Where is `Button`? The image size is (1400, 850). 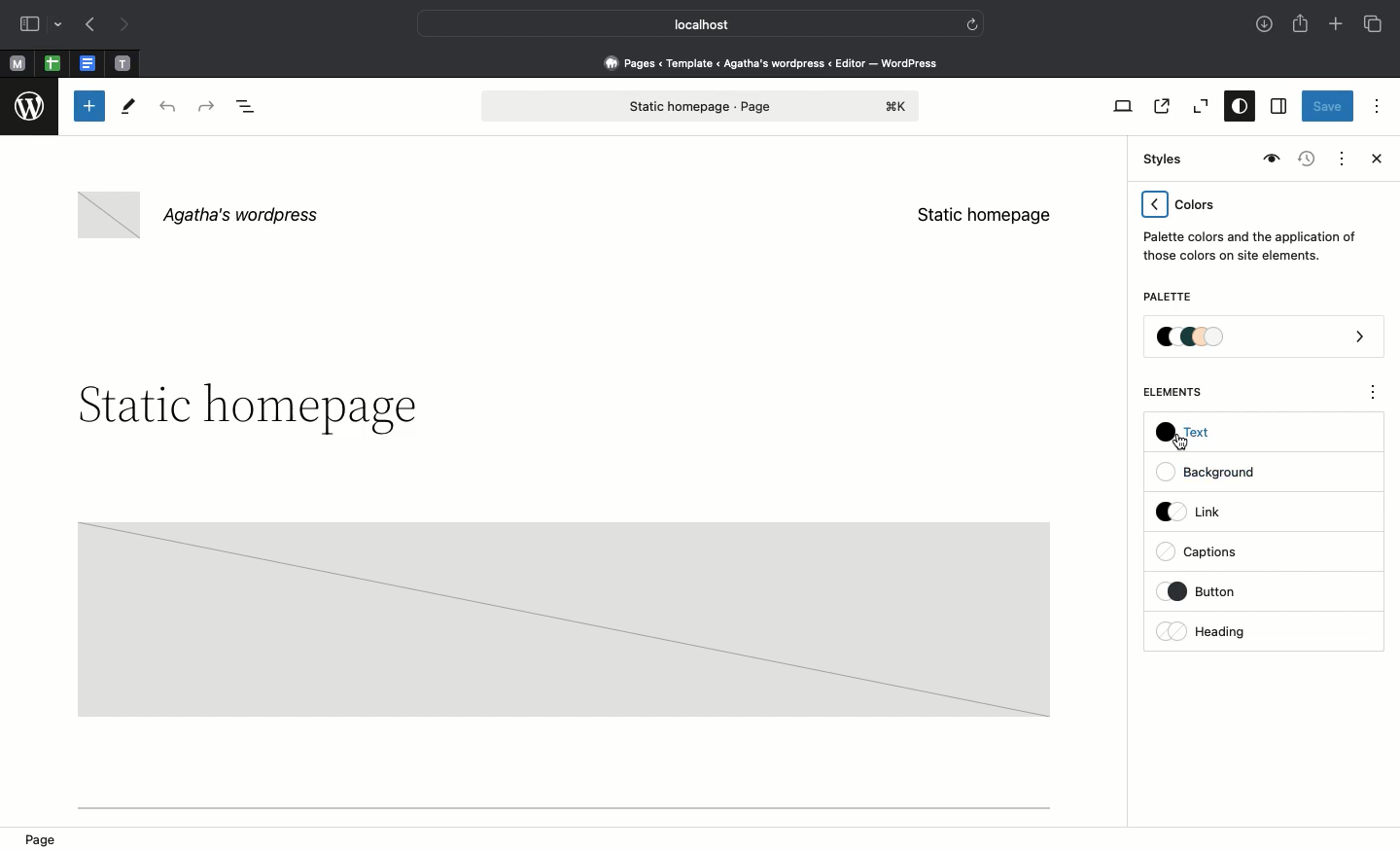 Button is located at coordinates (1214, 591).